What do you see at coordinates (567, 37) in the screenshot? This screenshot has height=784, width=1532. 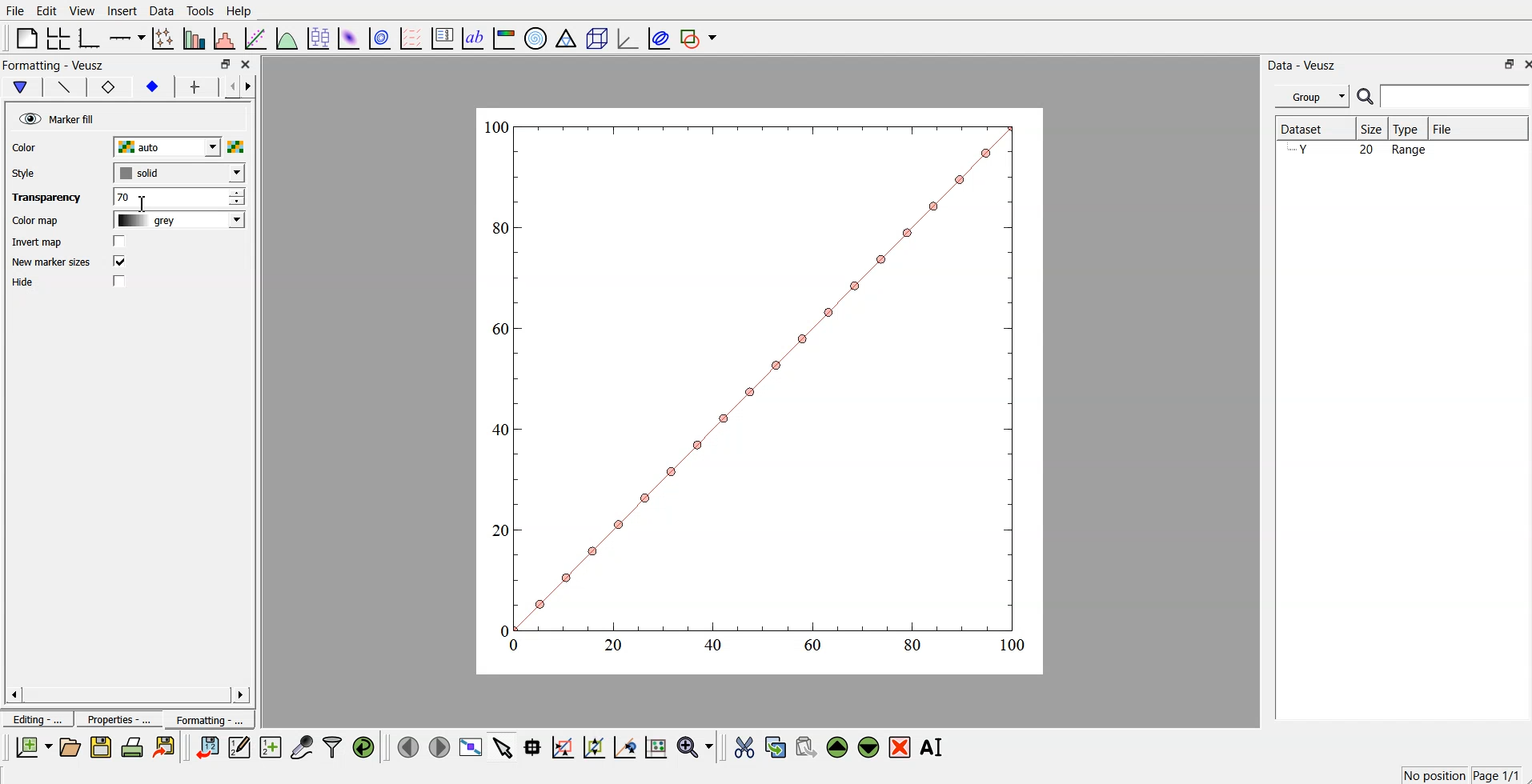 I see `ternary graph` at bounding box center [567, 37].